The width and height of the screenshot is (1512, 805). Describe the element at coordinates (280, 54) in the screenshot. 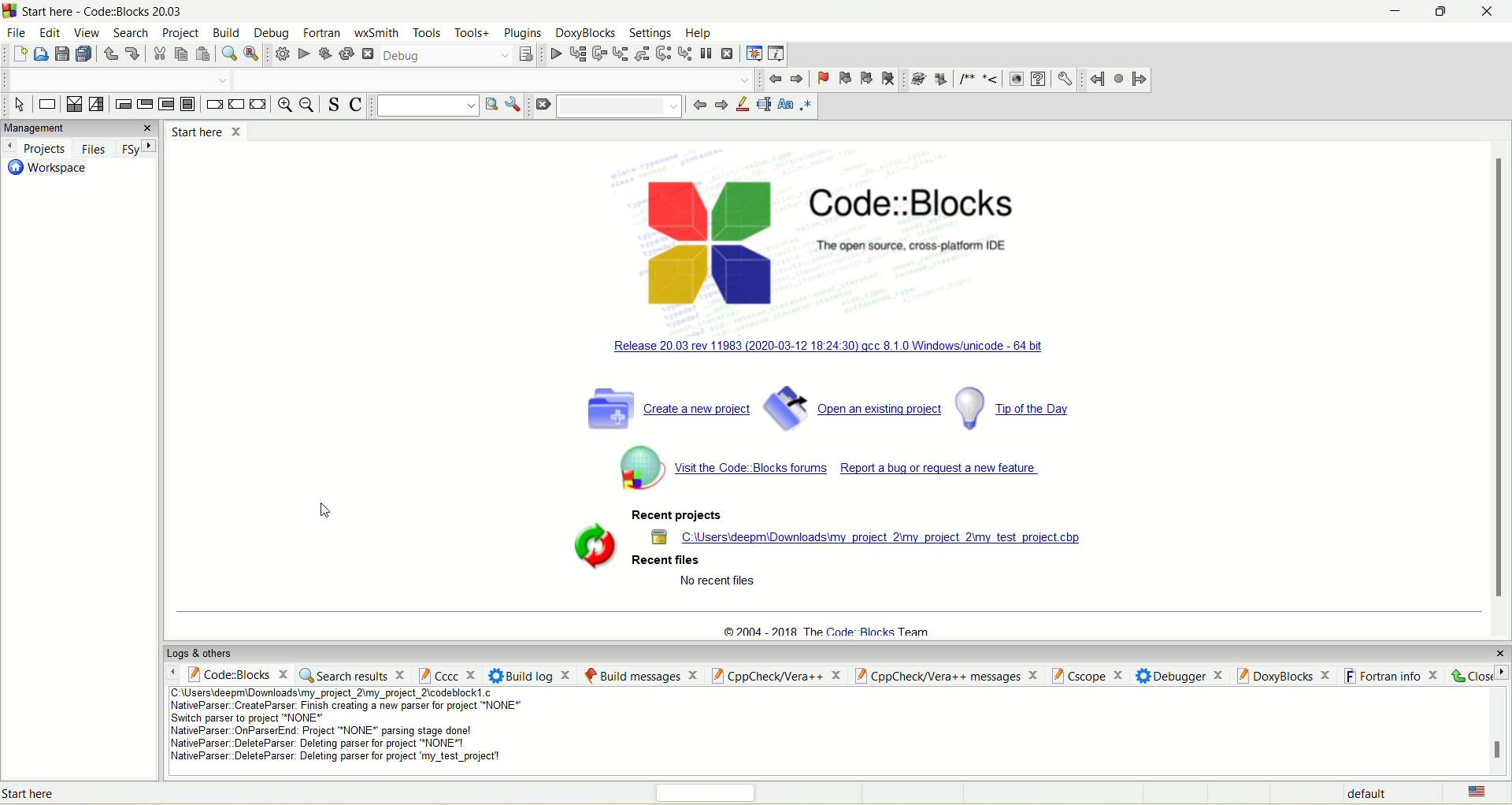

I see `build` at that location.